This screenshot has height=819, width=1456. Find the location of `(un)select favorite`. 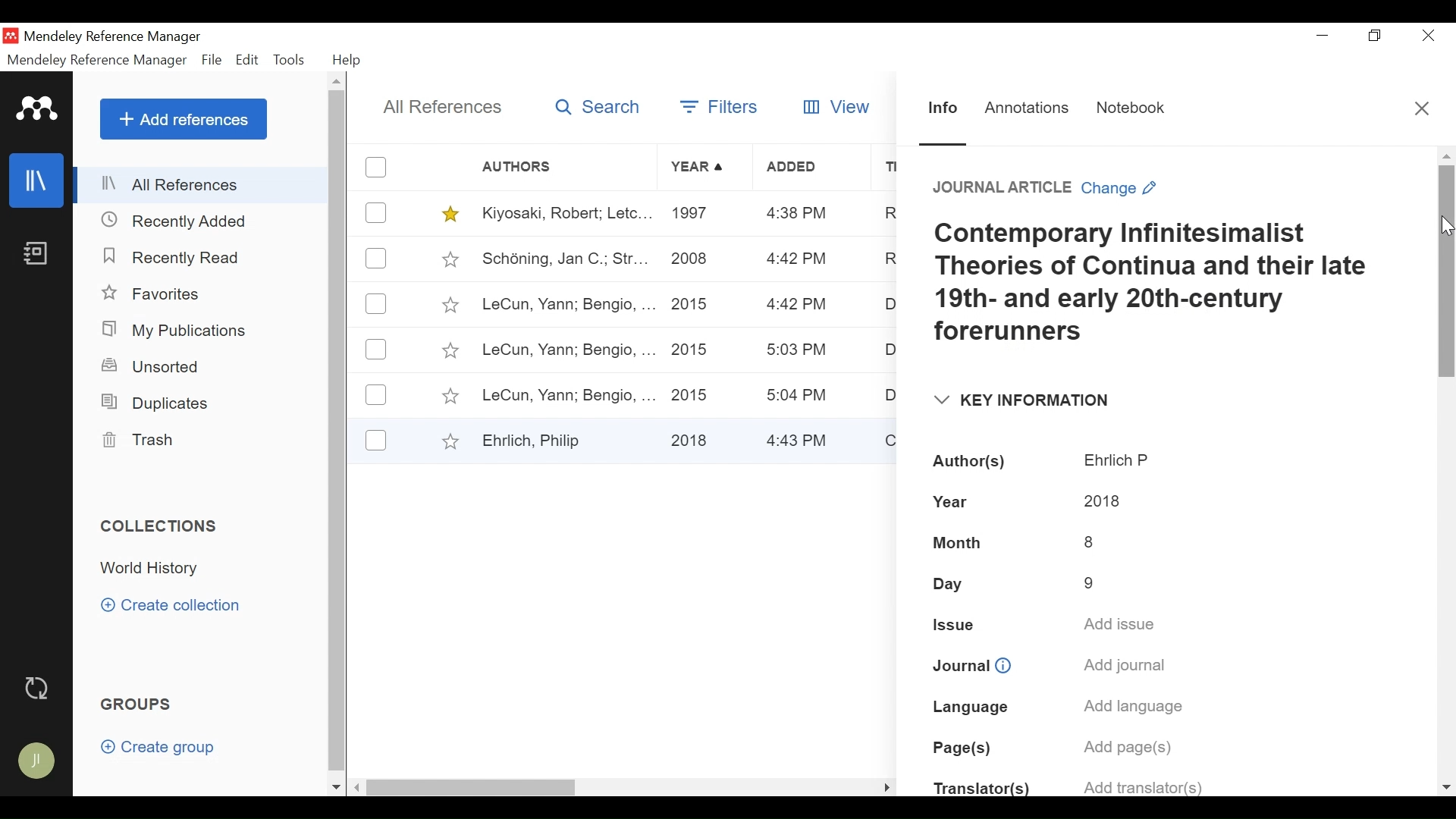

(un)select favorite is located at coordinates (447, 259).